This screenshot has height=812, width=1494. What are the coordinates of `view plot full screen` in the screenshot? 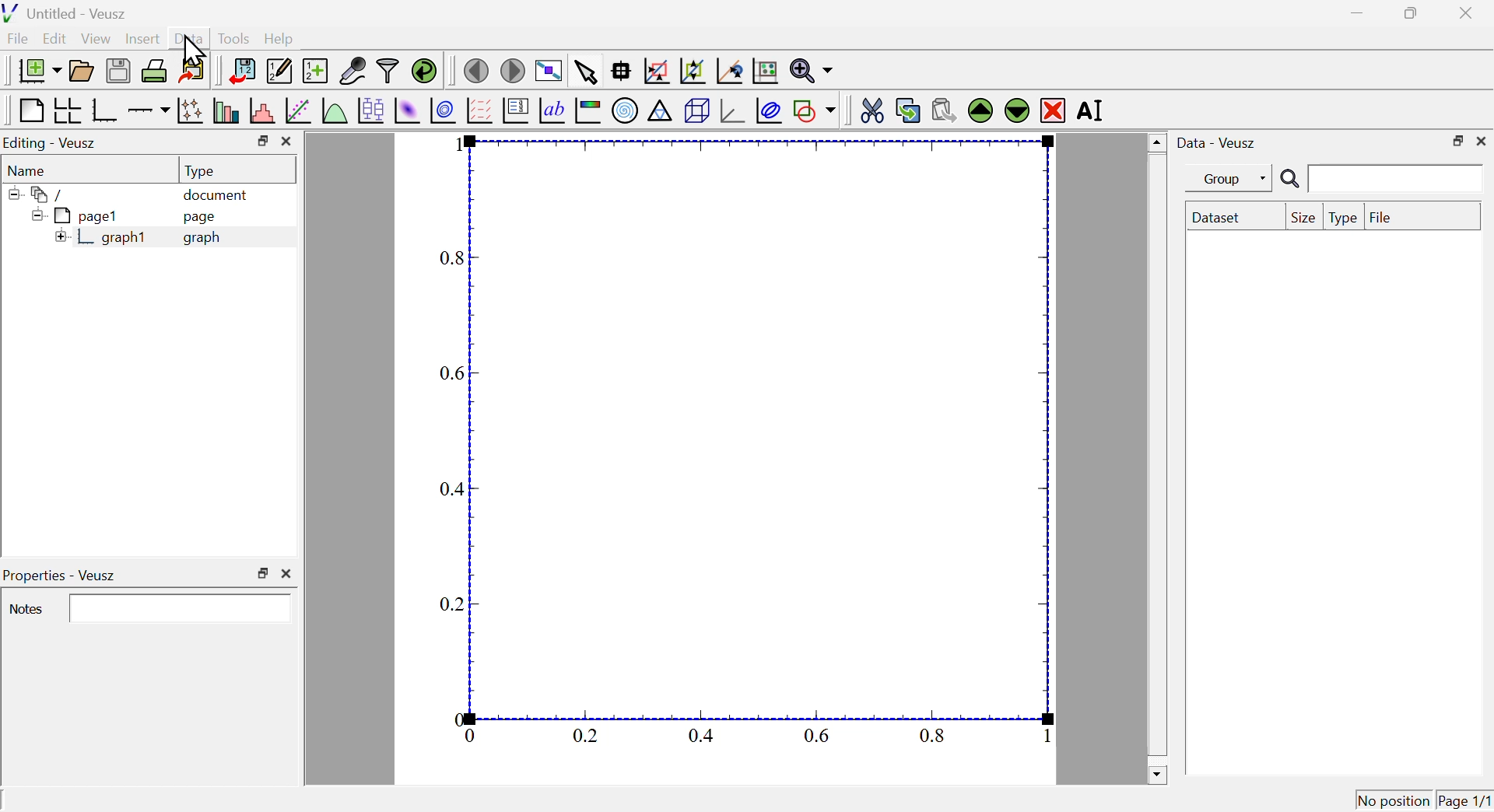 It's located at (549, 69).